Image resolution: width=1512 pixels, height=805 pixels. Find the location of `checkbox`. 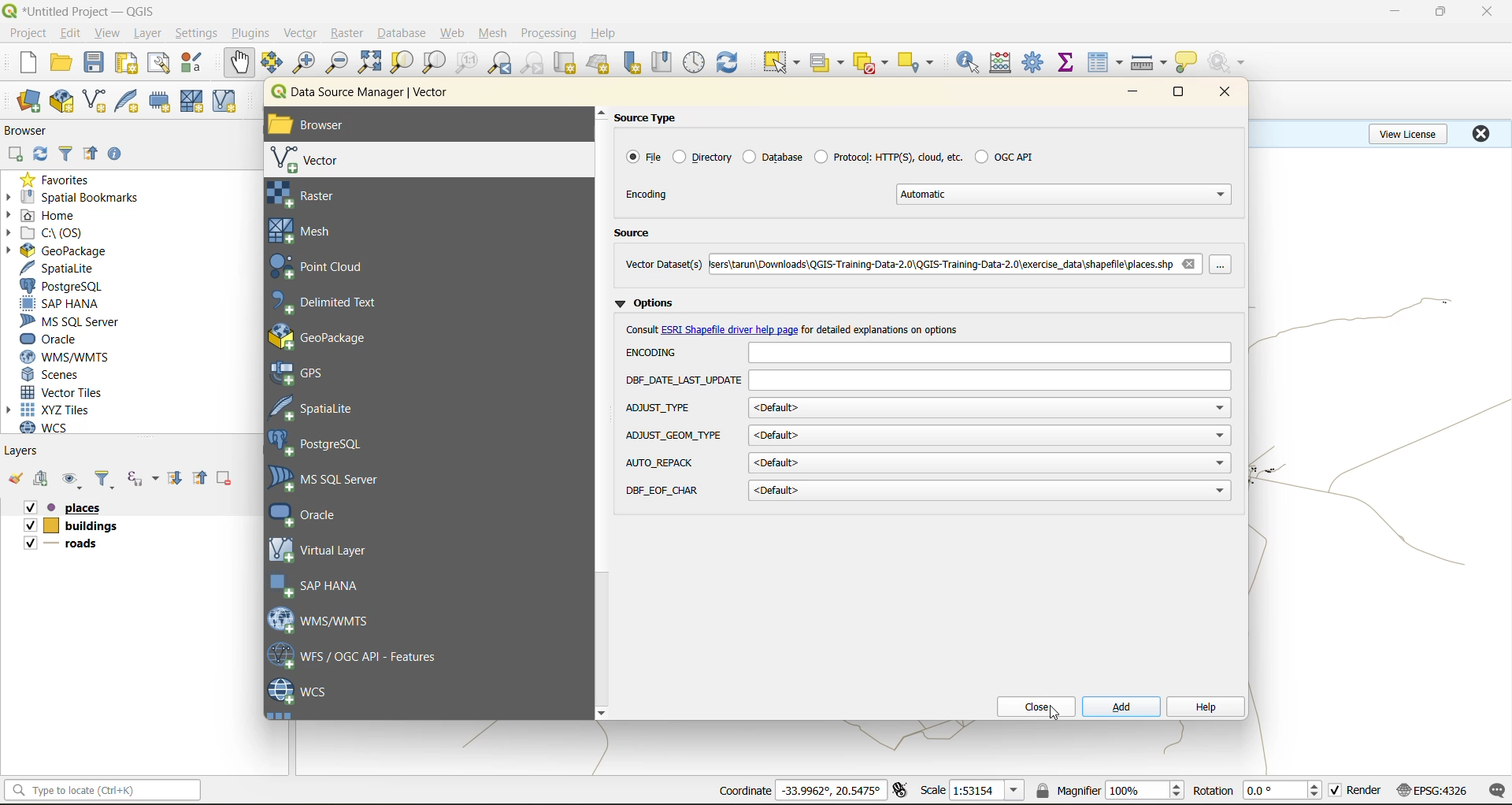

checkbox is located at coordinates (1336, 791).